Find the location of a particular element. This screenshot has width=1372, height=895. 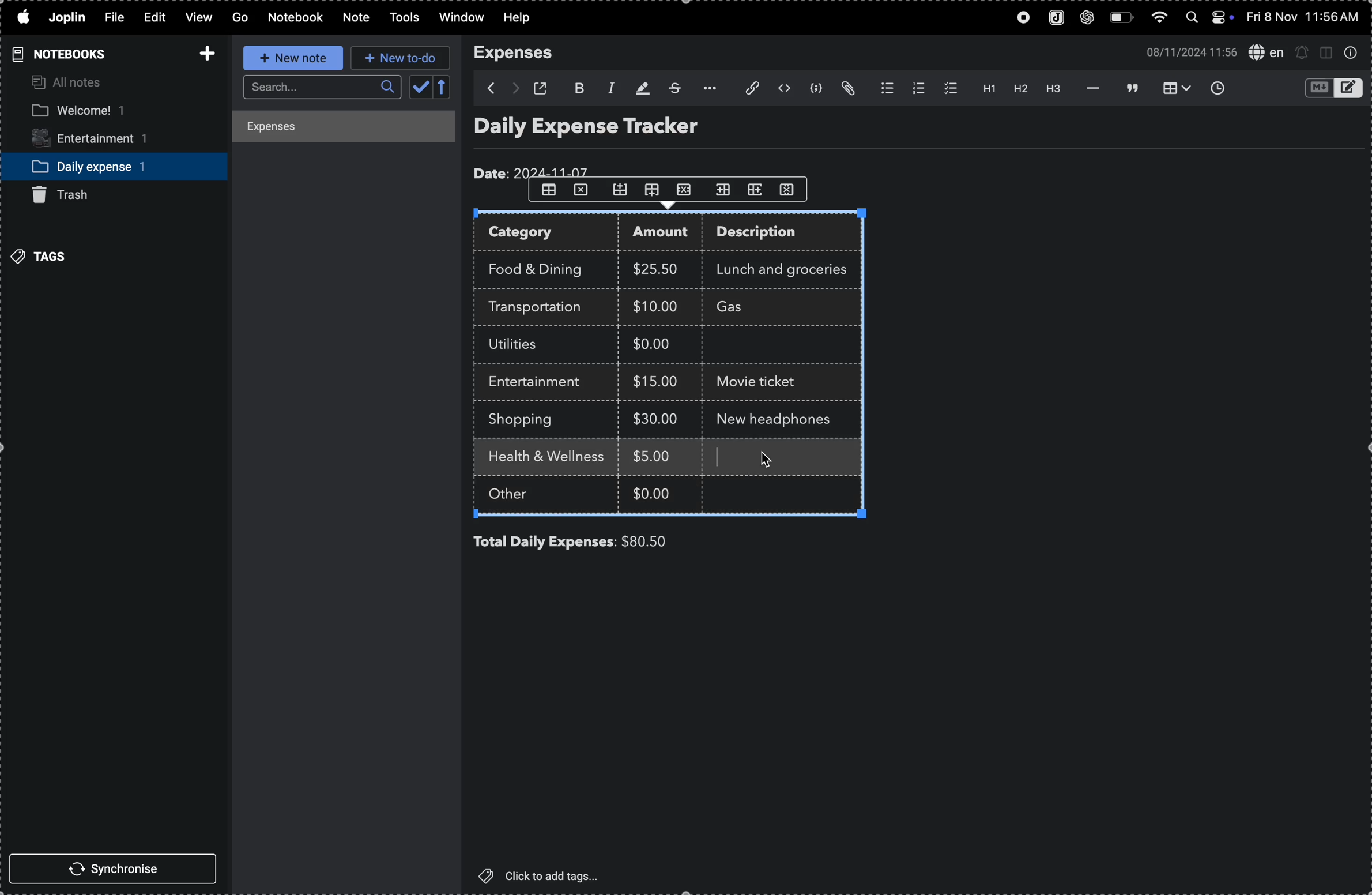

Daily expense tracker is located at coordinates (608, 129).